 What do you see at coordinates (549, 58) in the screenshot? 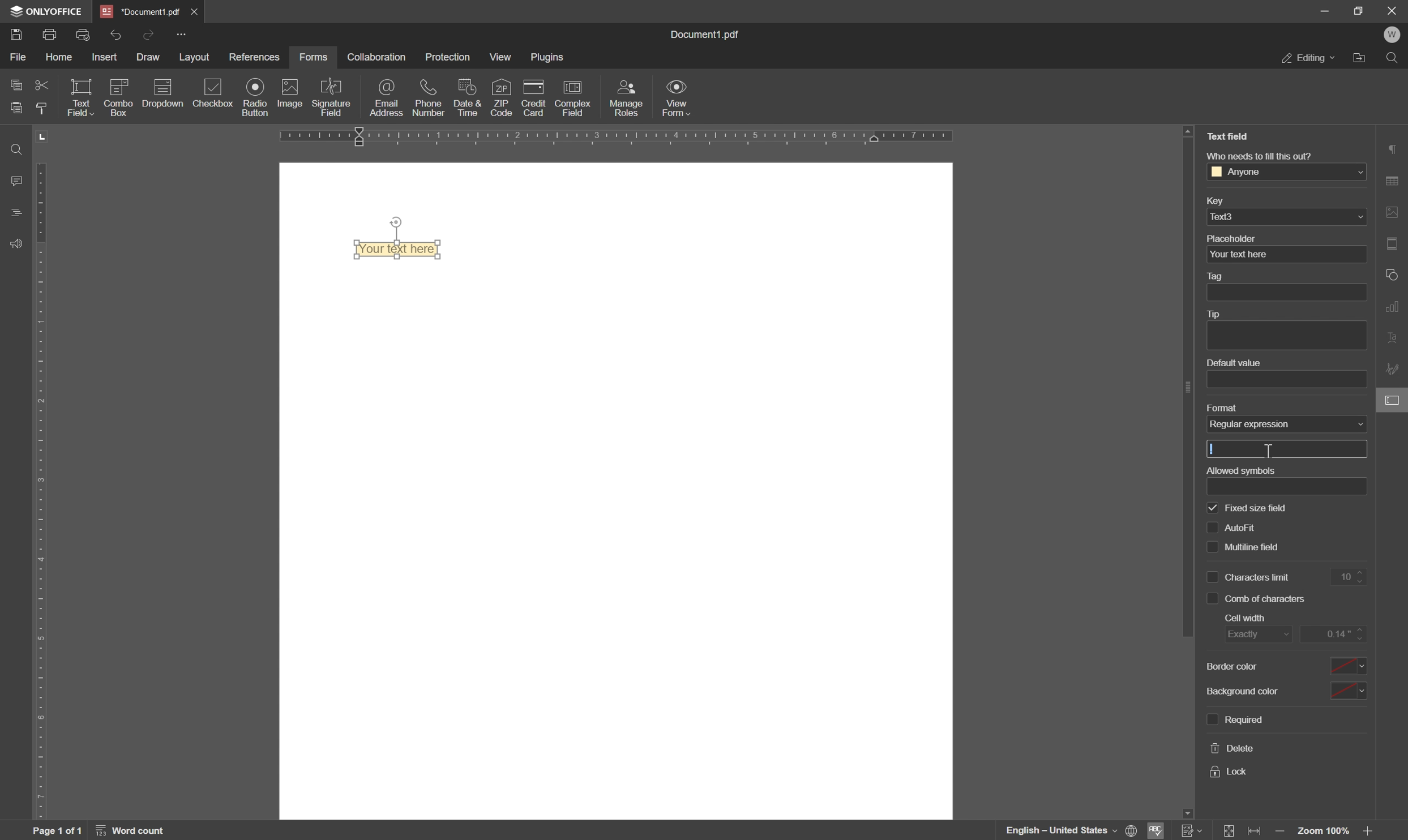
I see `plugins` at bounding box center [549, 58].